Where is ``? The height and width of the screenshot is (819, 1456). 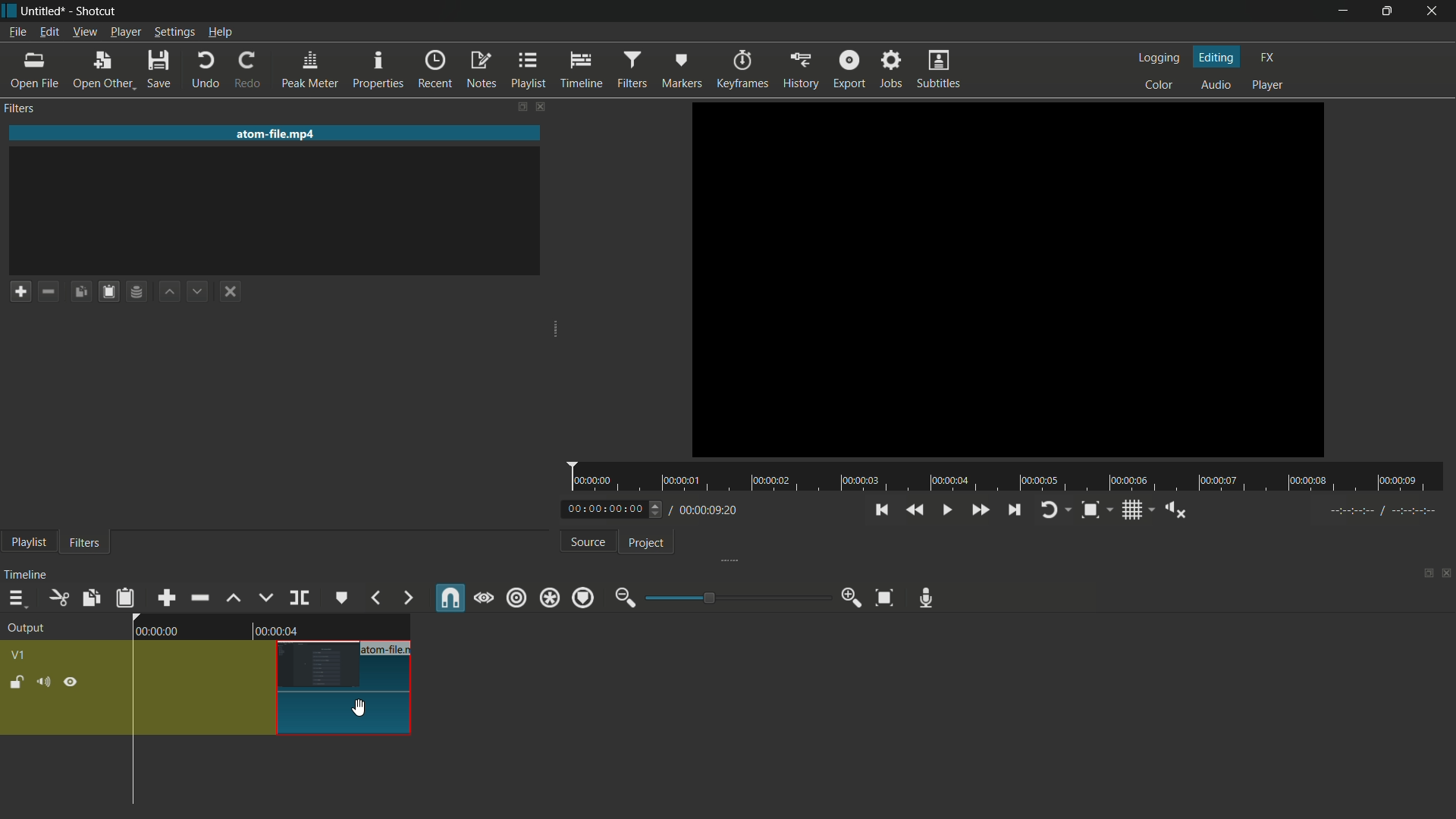  is located at coordinates (10, 11).